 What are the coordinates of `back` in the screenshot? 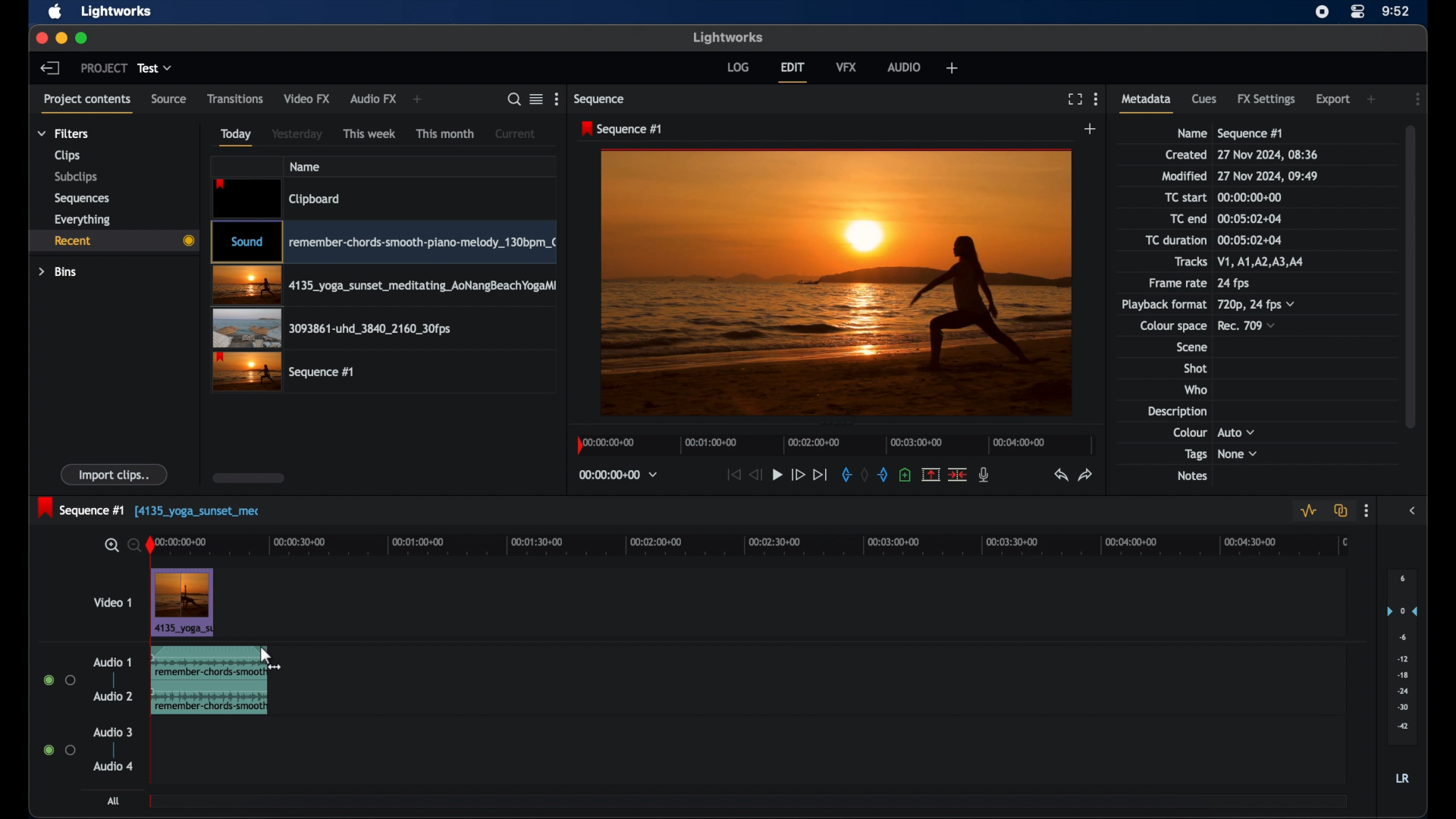 It's located at (50, 68).